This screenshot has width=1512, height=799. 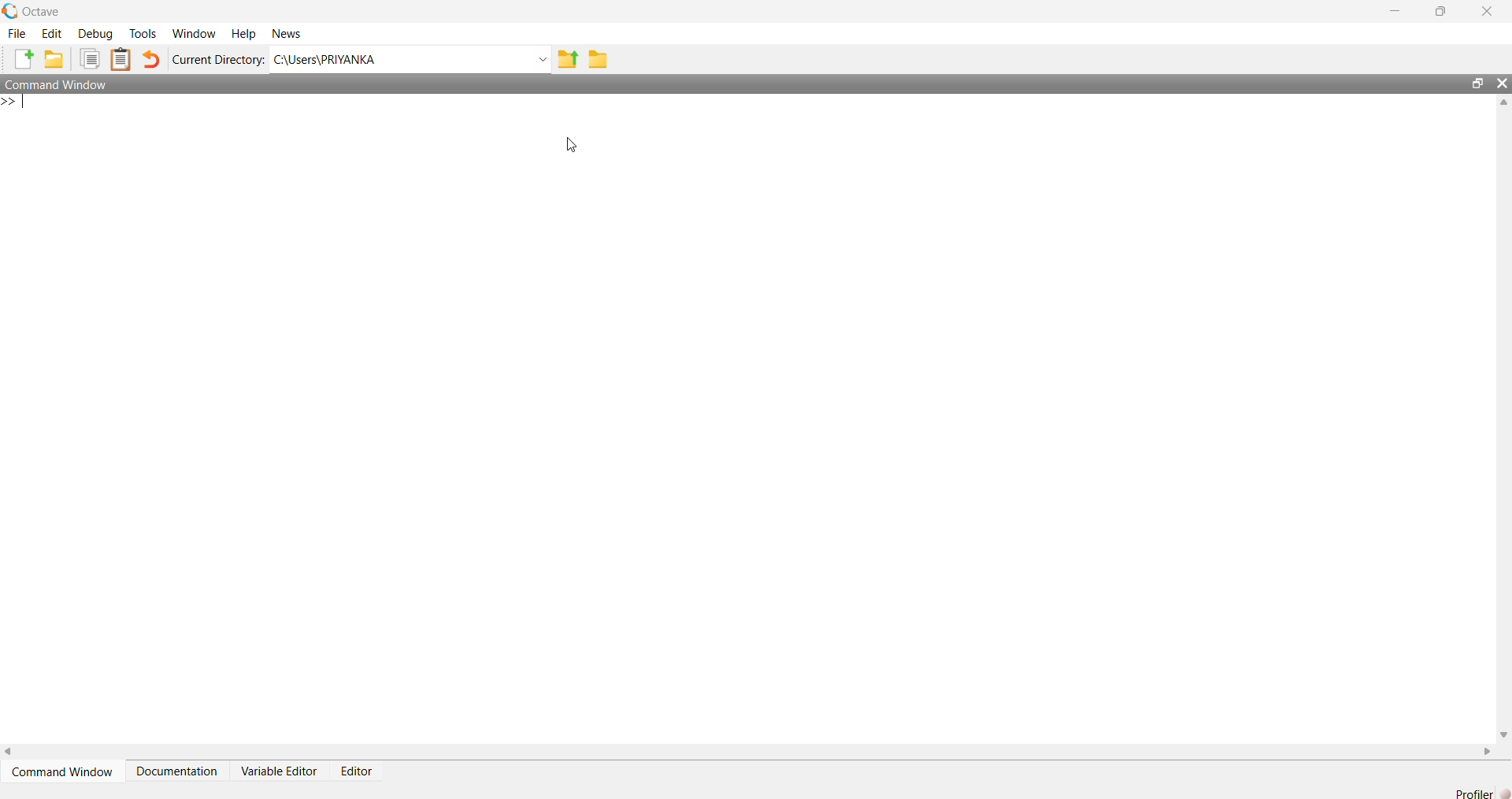 What do you see at coordinates (143, 35) in the screenshot?
I see `Tools` at bounding box center [143, 35].